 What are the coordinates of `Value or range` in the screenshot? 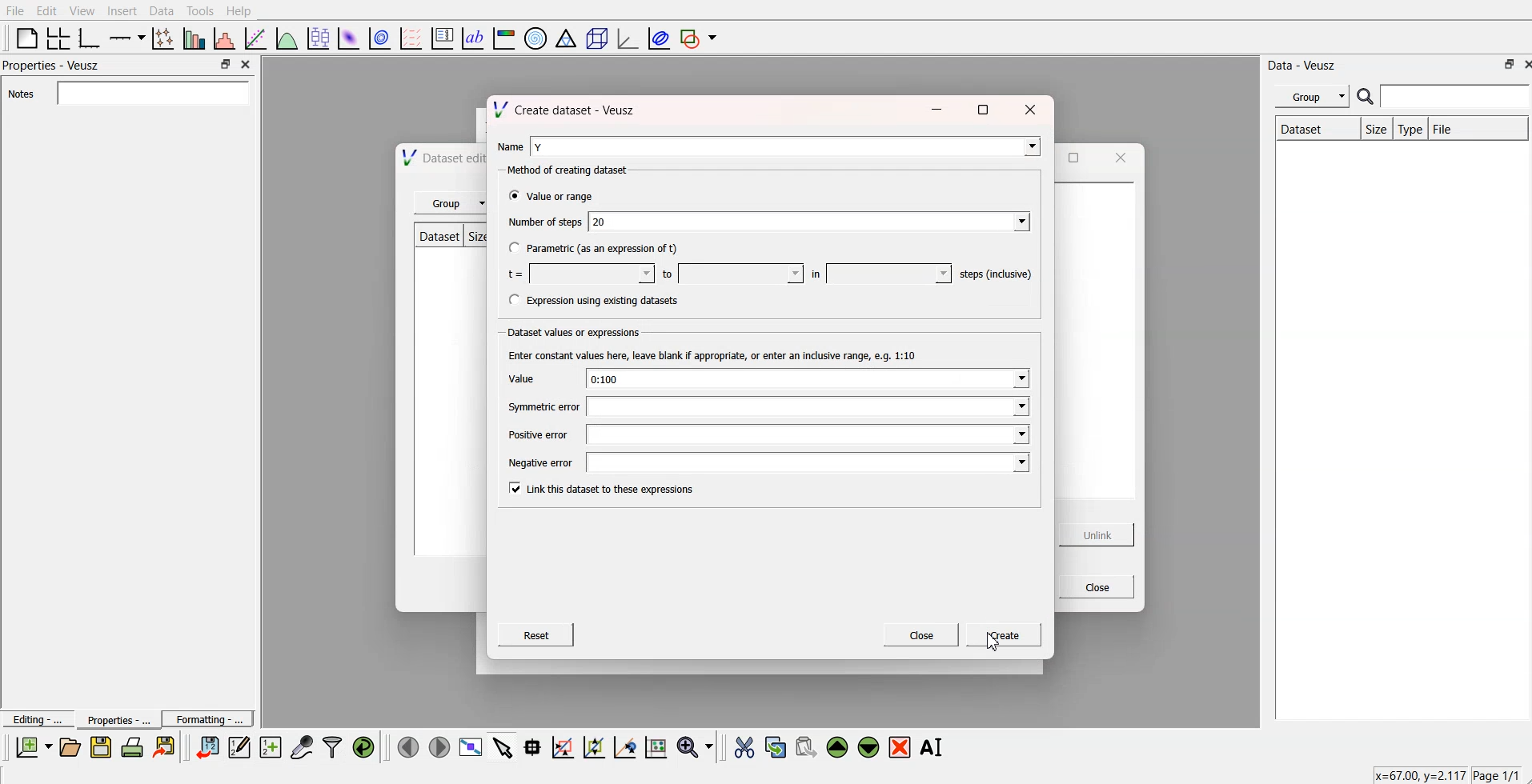 It's located at (551, 196).